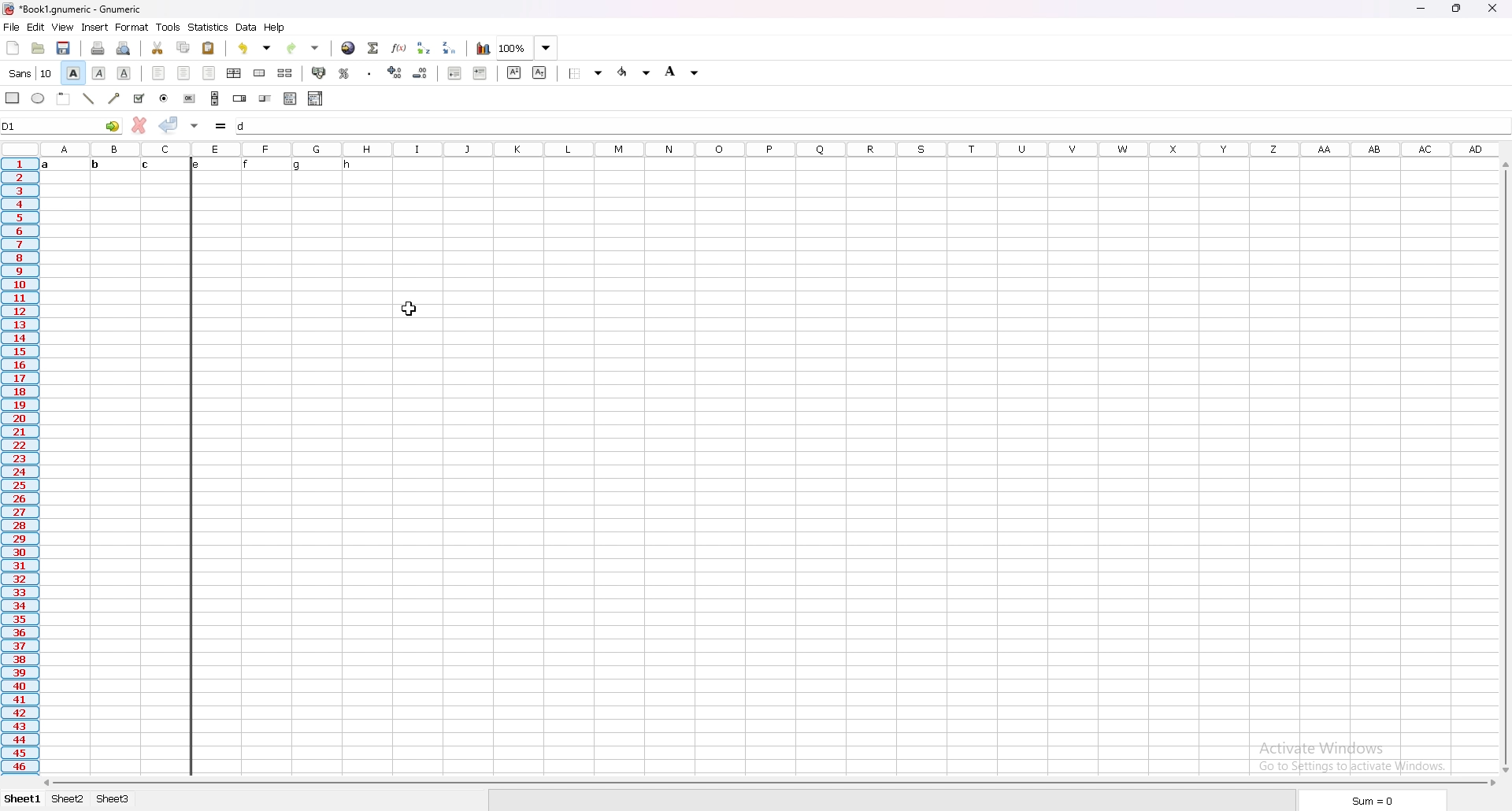 The width and height of the screenshot is (1512, 811). What do you see at coordinates (285, 72) in the screenshot?
I see `split merged cell` at bounding box center [285, 72].